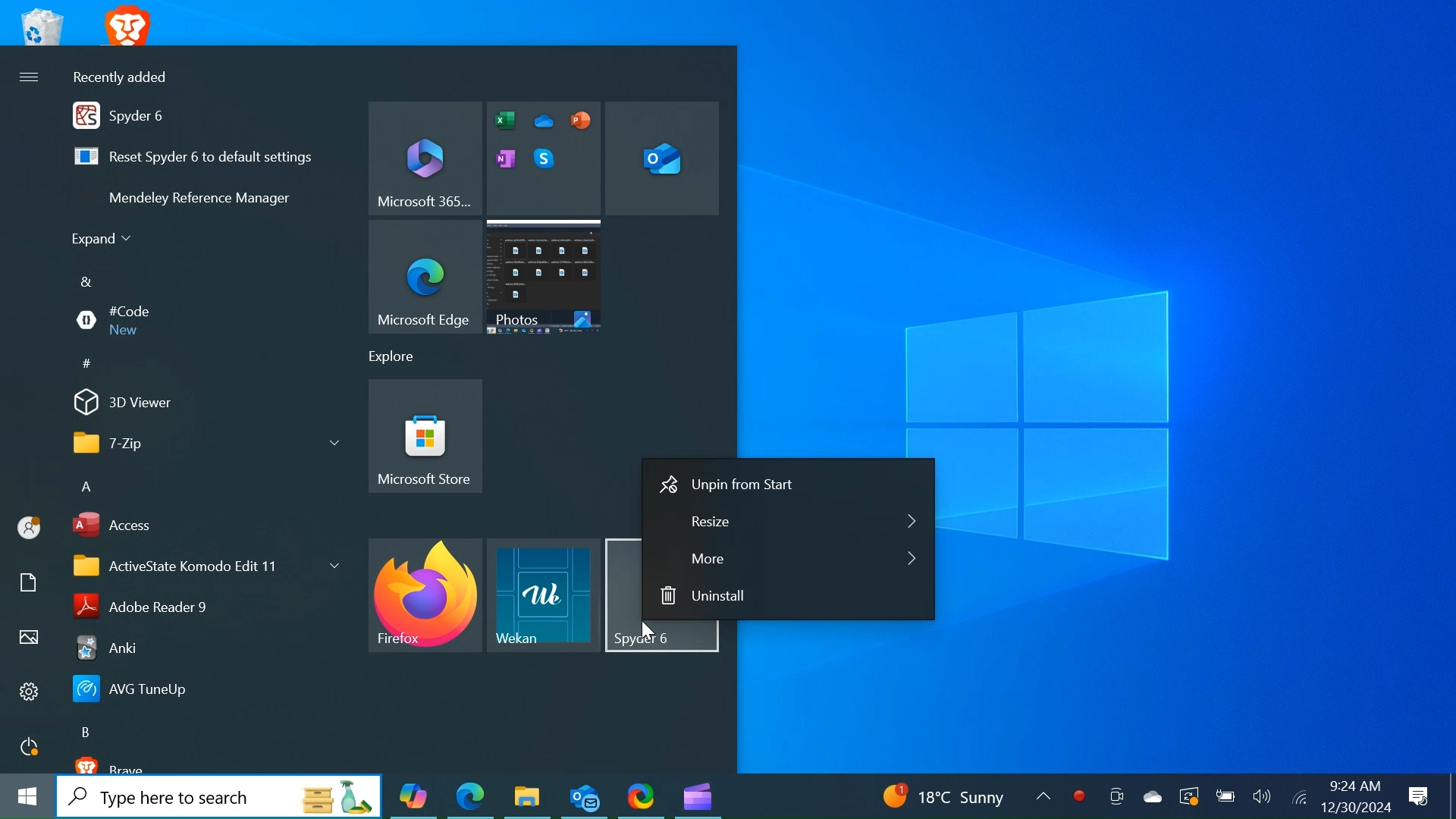 The image size is (1456, 819). Describe the element at coordinates (1153, 794) in the screenshot. I see `OneDrive` at that location.